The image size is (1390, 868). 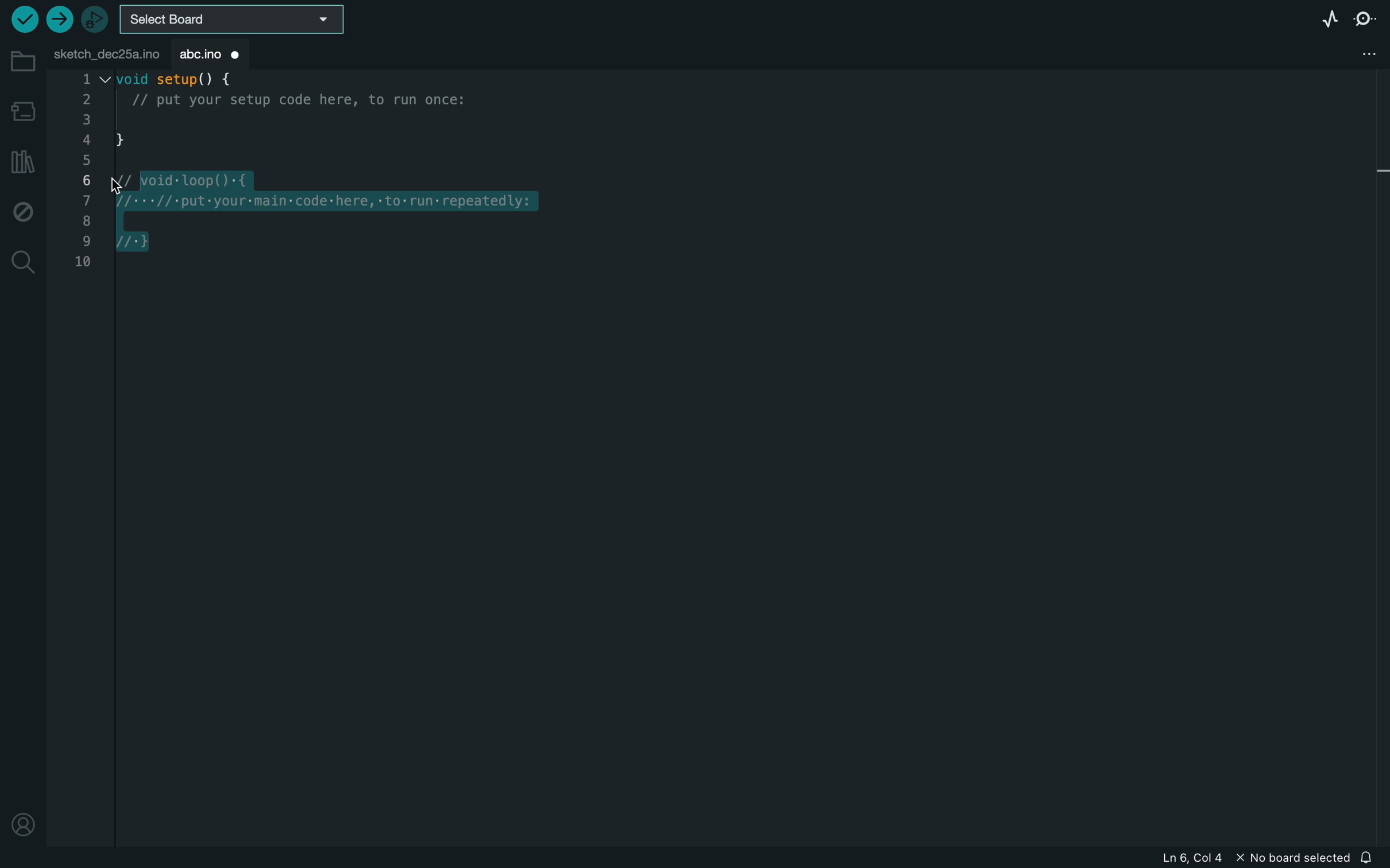 I want to click on folder, so click(x=20, y=61).